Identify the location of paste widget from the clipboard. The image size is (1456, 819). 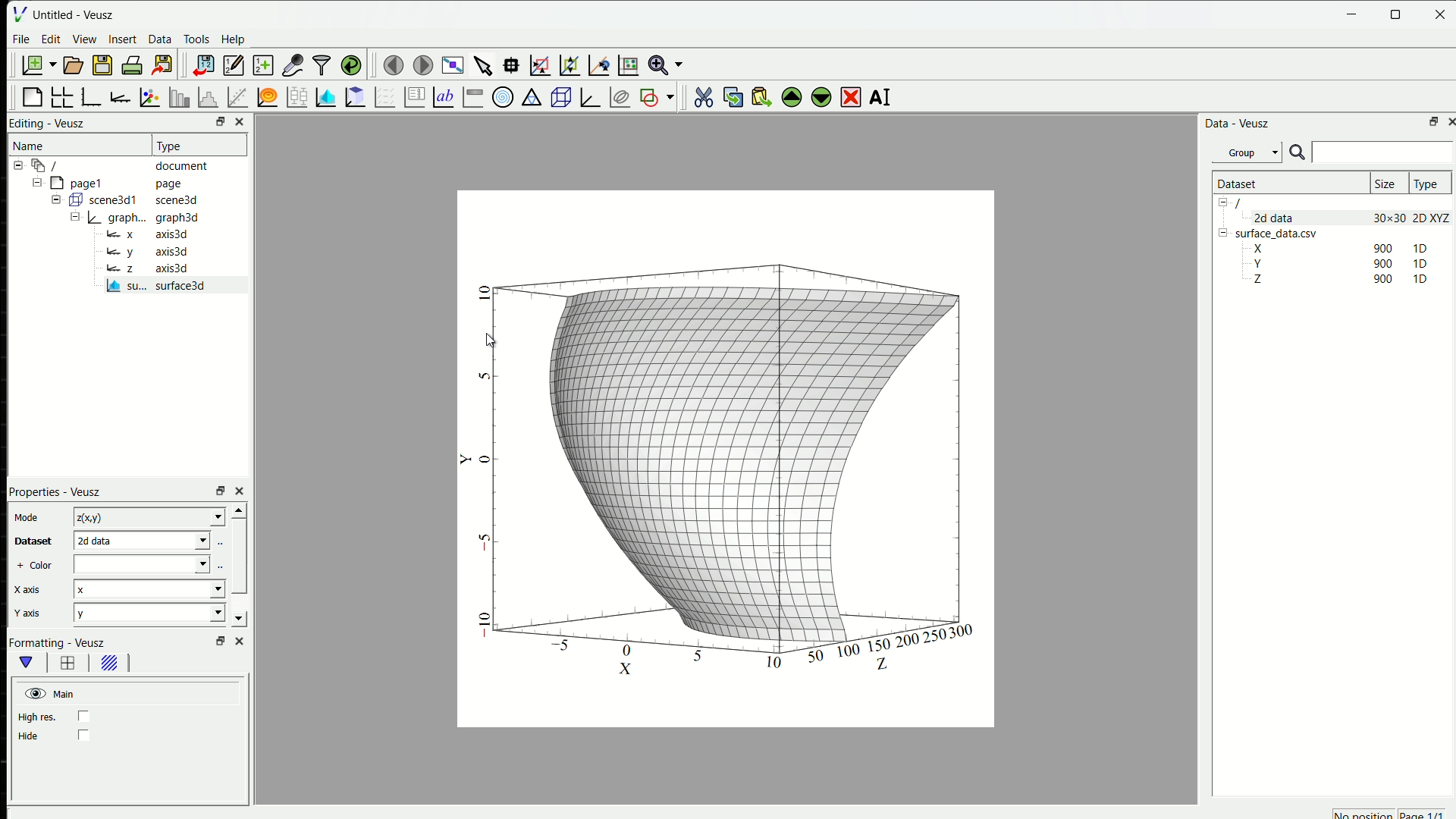
(764, 96).